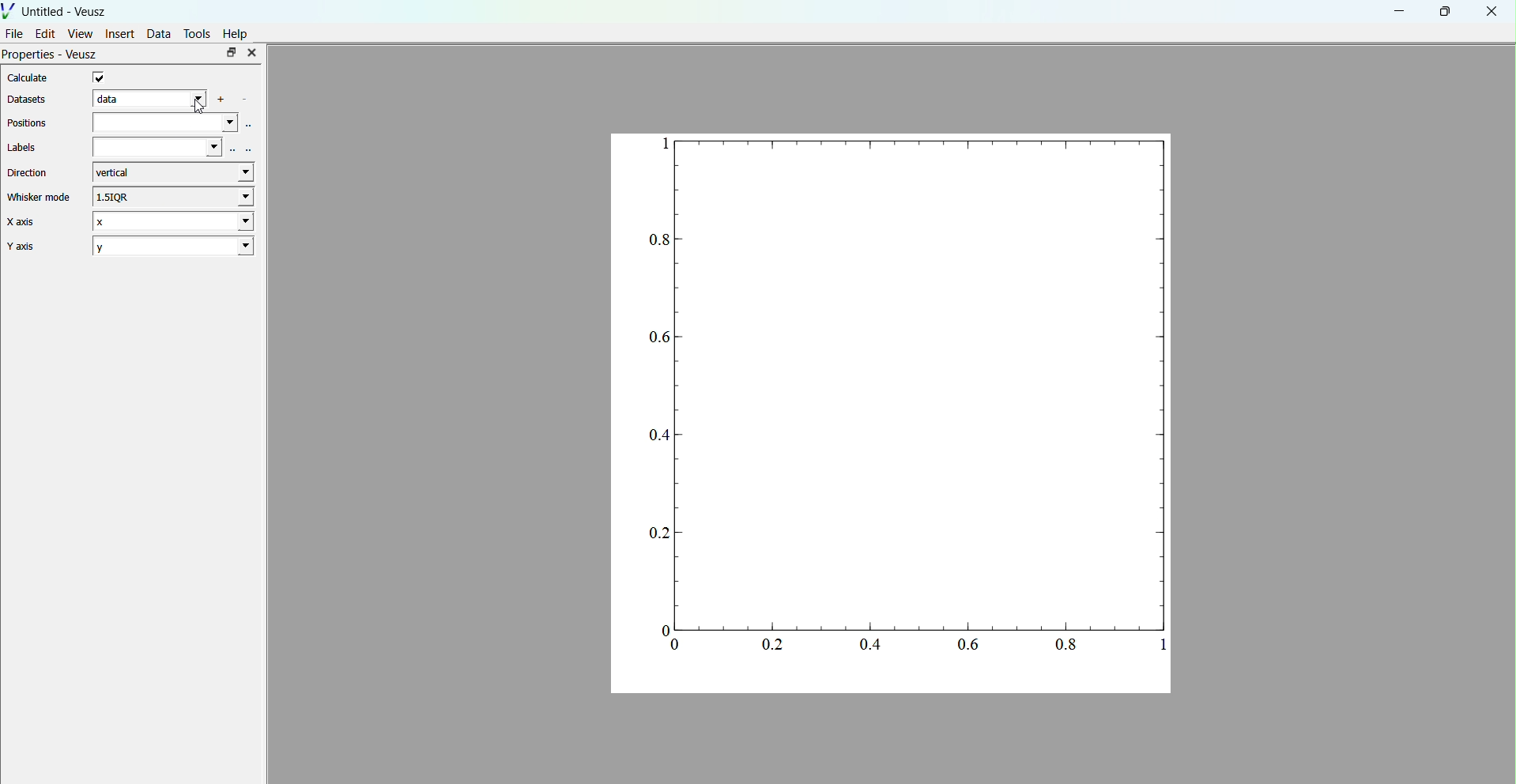  Describe the element at coordinates (175, 124) in the screenshot. I see `positions` at that location.